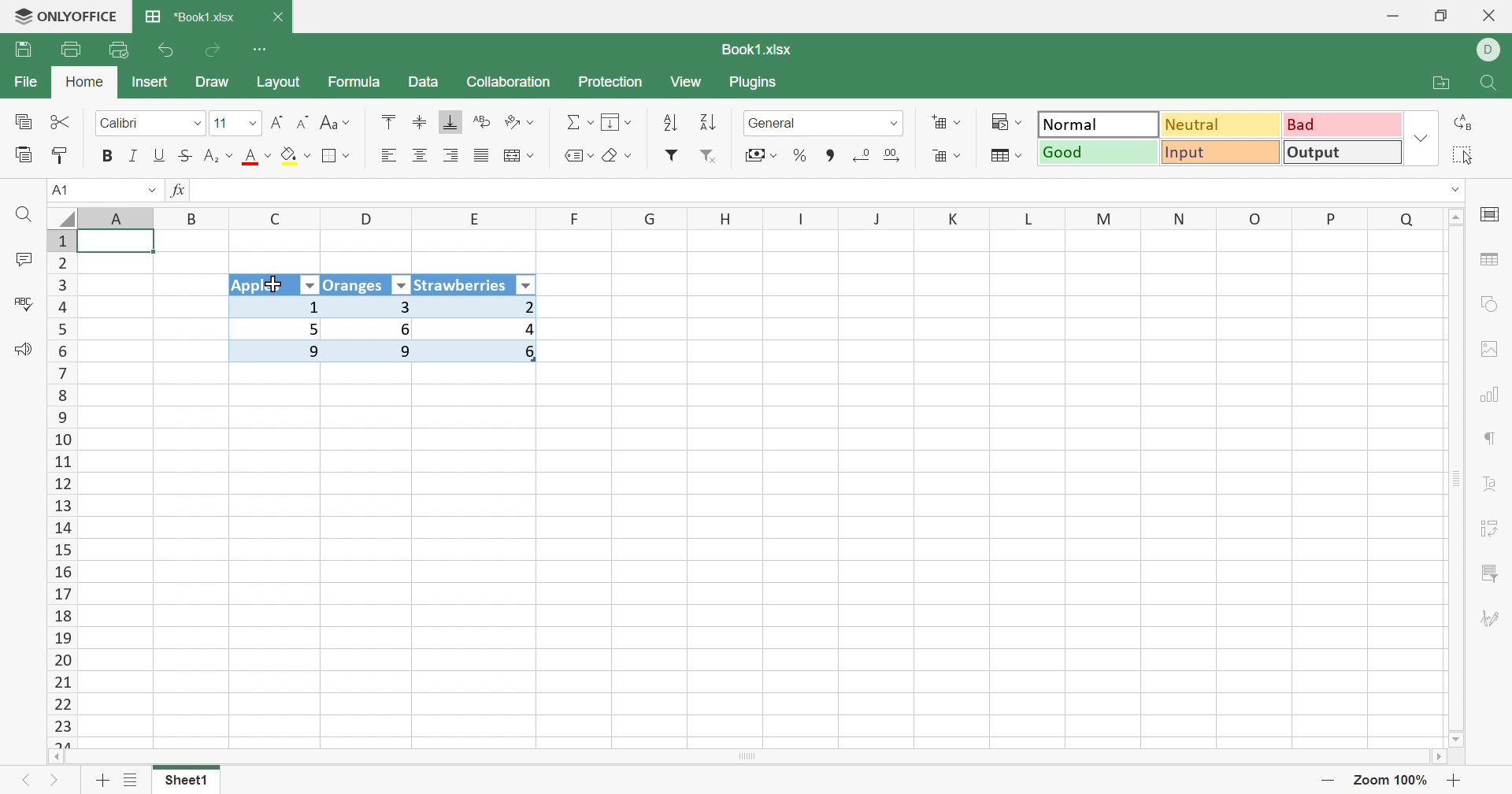  What do you see at coordinates (22, 123) in the screenshot?
I see `Copy` at bounding box center [22, 123].